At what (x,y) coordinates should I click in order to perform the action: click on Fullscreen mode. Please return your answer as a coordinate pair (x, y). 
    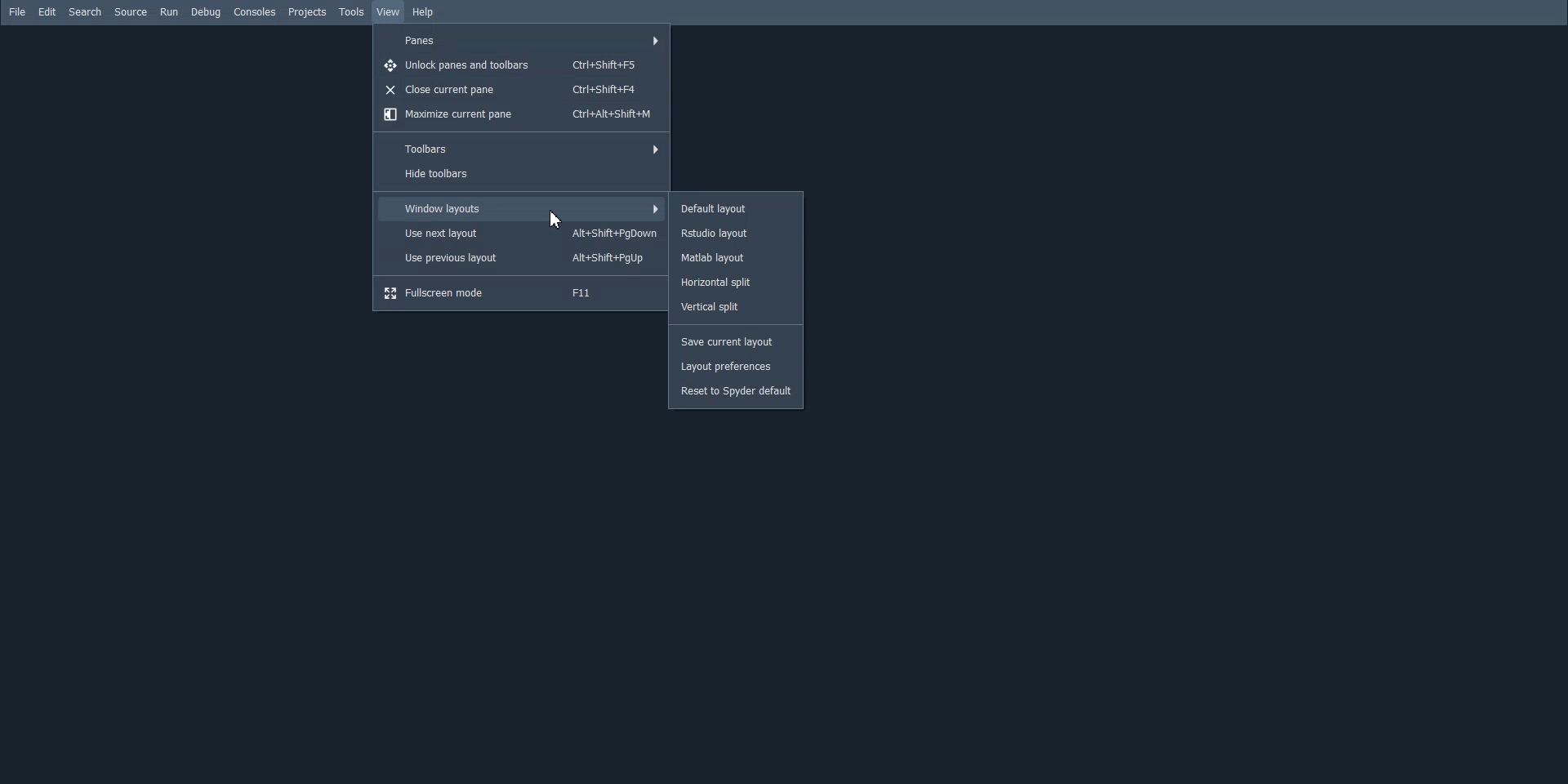
    Looking at the image, I should click on (519, 292).